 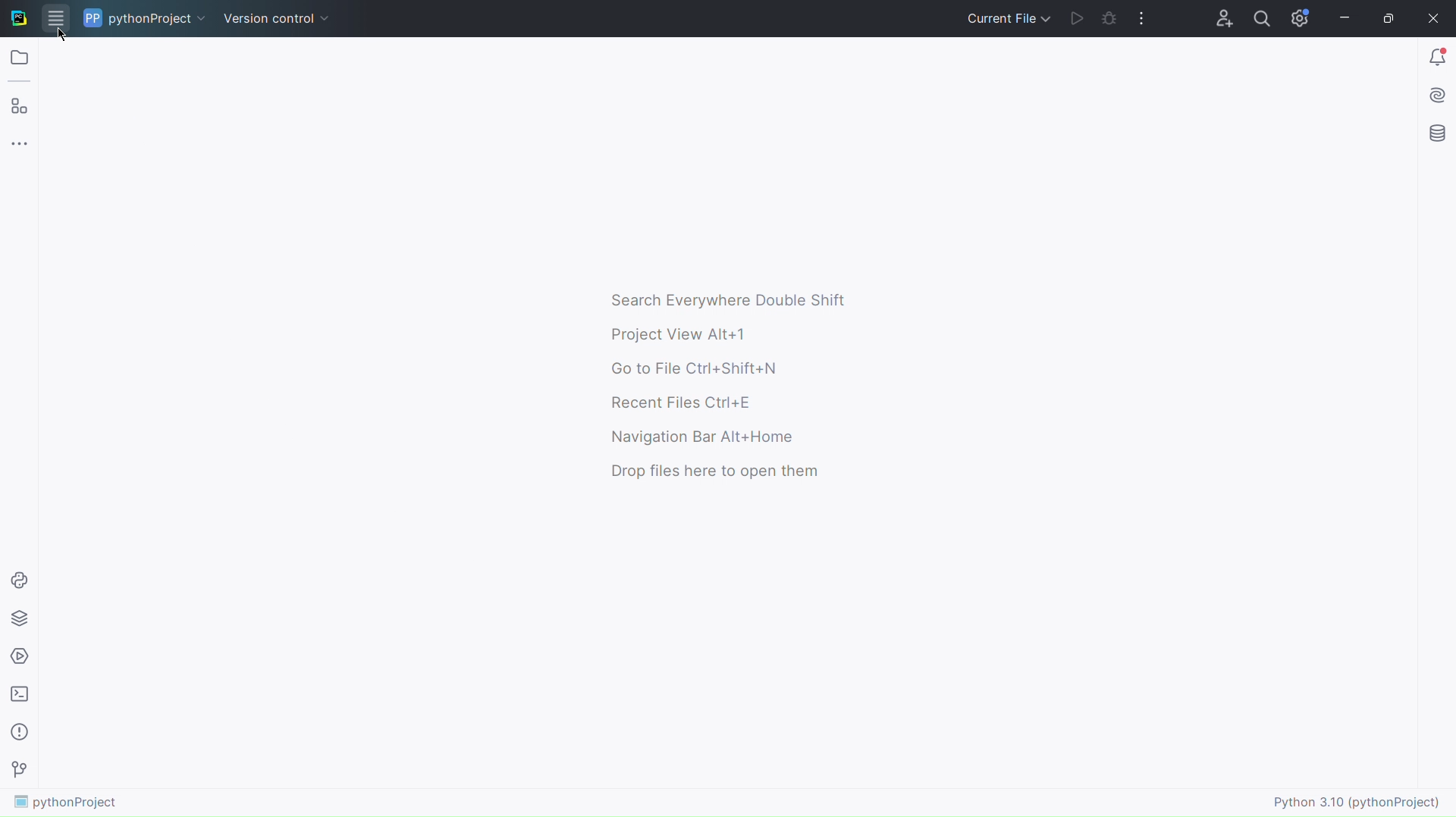 I want to click on Python Console, so click(x=20, y=578).